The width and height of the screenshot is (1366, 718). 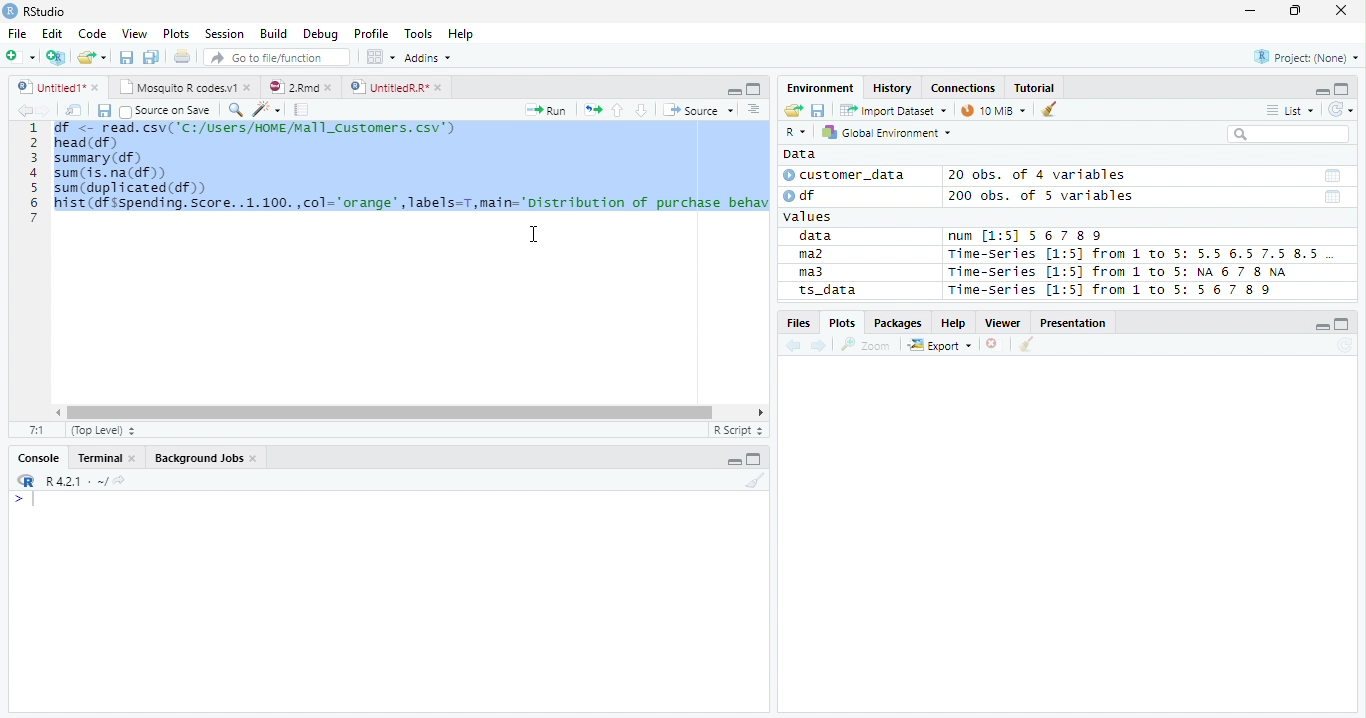 What do you see at coordinates (37, 430) in the screenshot?
I see `1:1` at bounding box center [37, 430].